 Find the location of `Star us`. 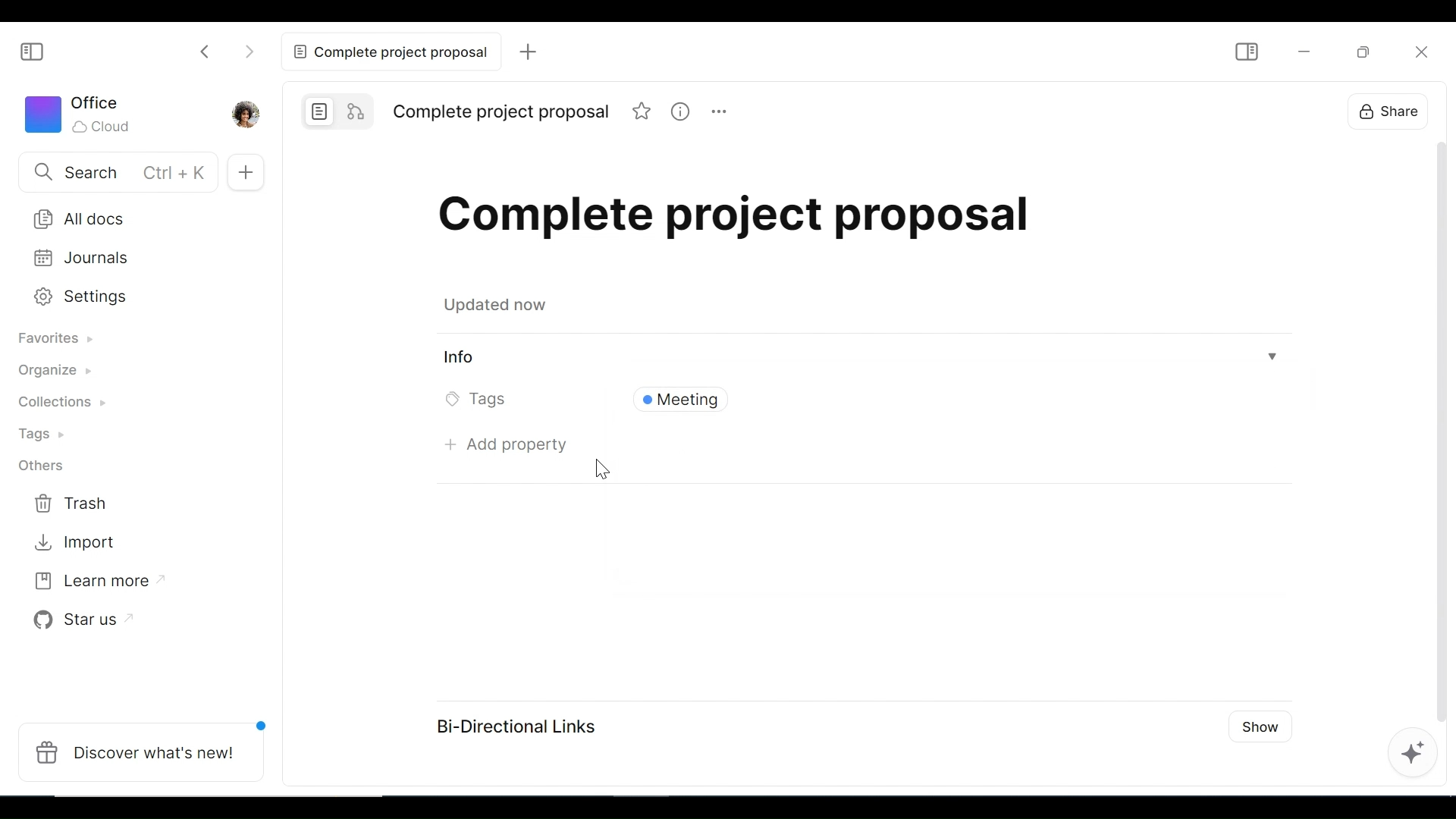

Star us is located at coordinates (83, 617).